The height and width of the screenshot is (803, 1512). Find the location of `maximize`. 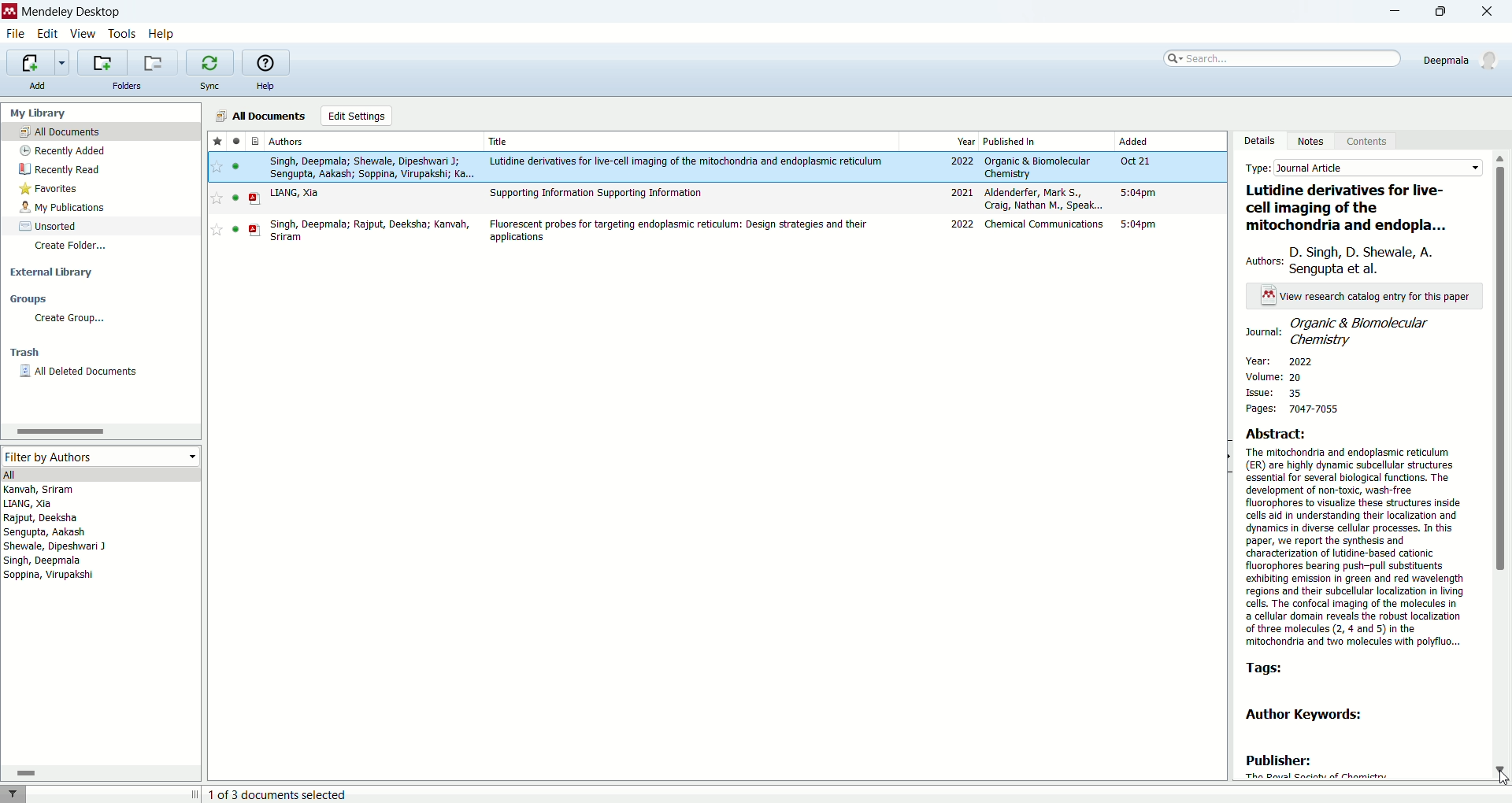

maximize is located at coordinates (1447, 11).